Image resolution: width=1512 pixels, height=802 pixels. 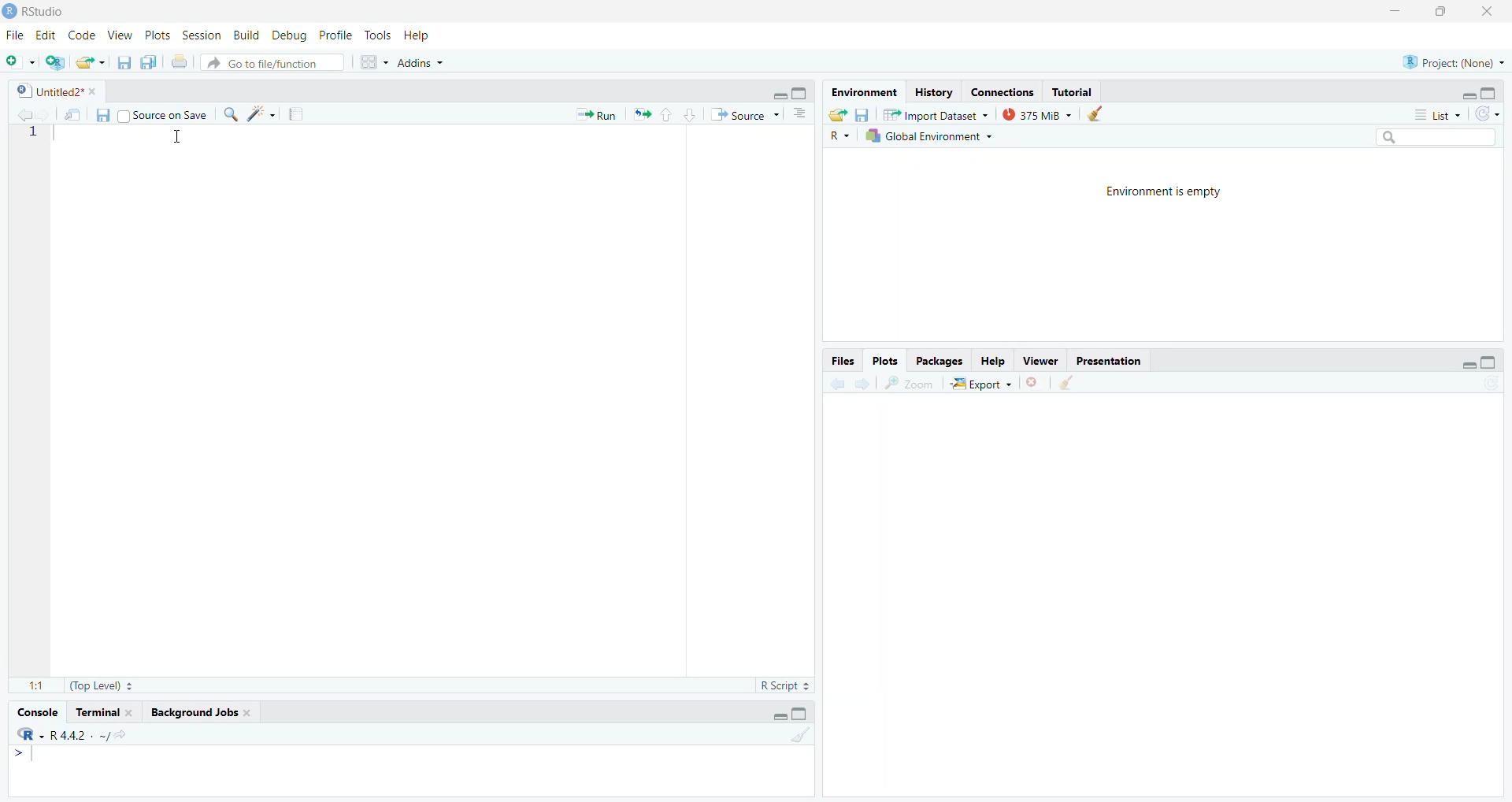 I want to click on cursor, so click(x=176, y=137).